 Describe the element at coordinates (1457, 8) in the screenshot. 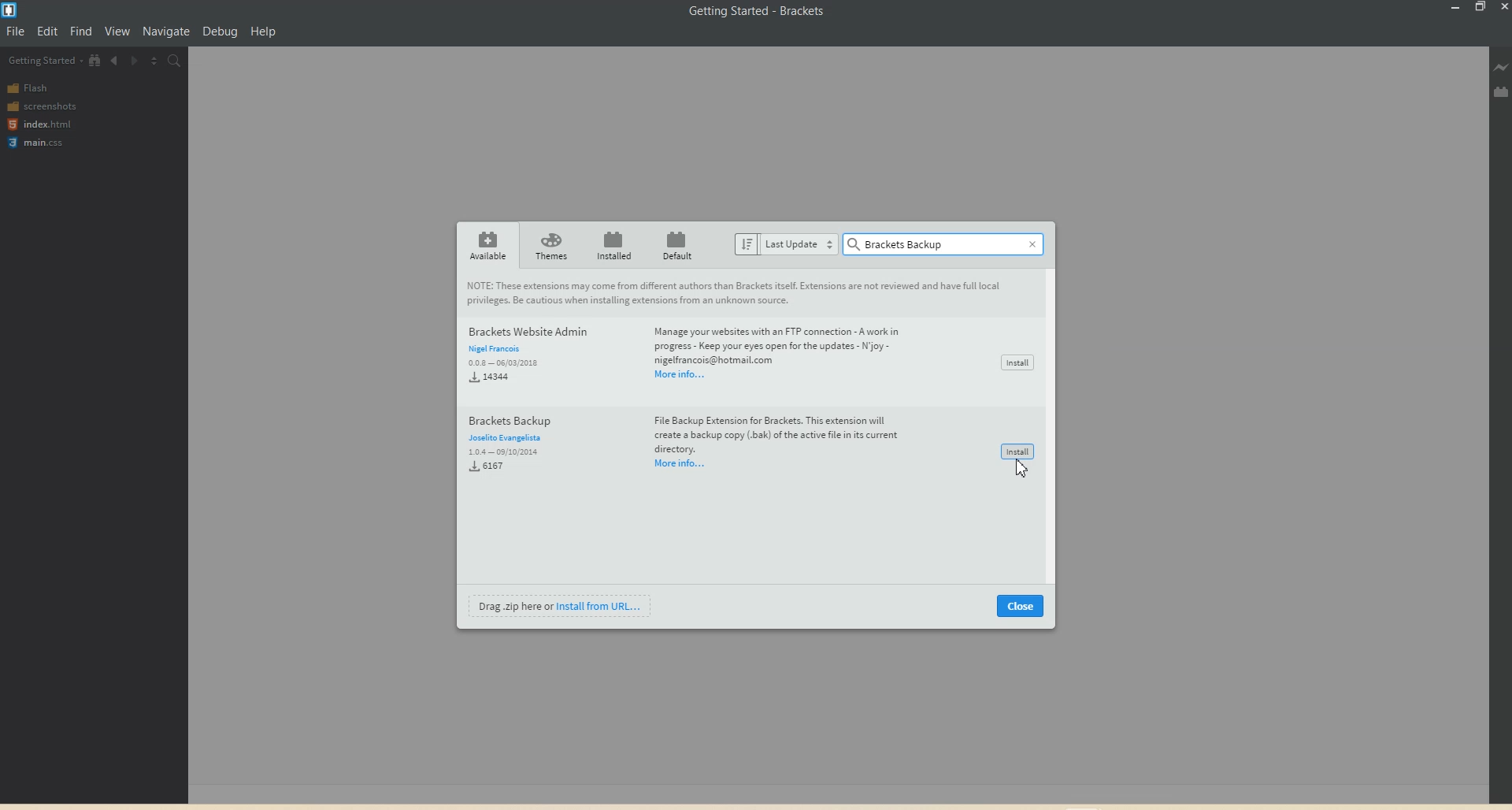

I see `Minimize` at that location.